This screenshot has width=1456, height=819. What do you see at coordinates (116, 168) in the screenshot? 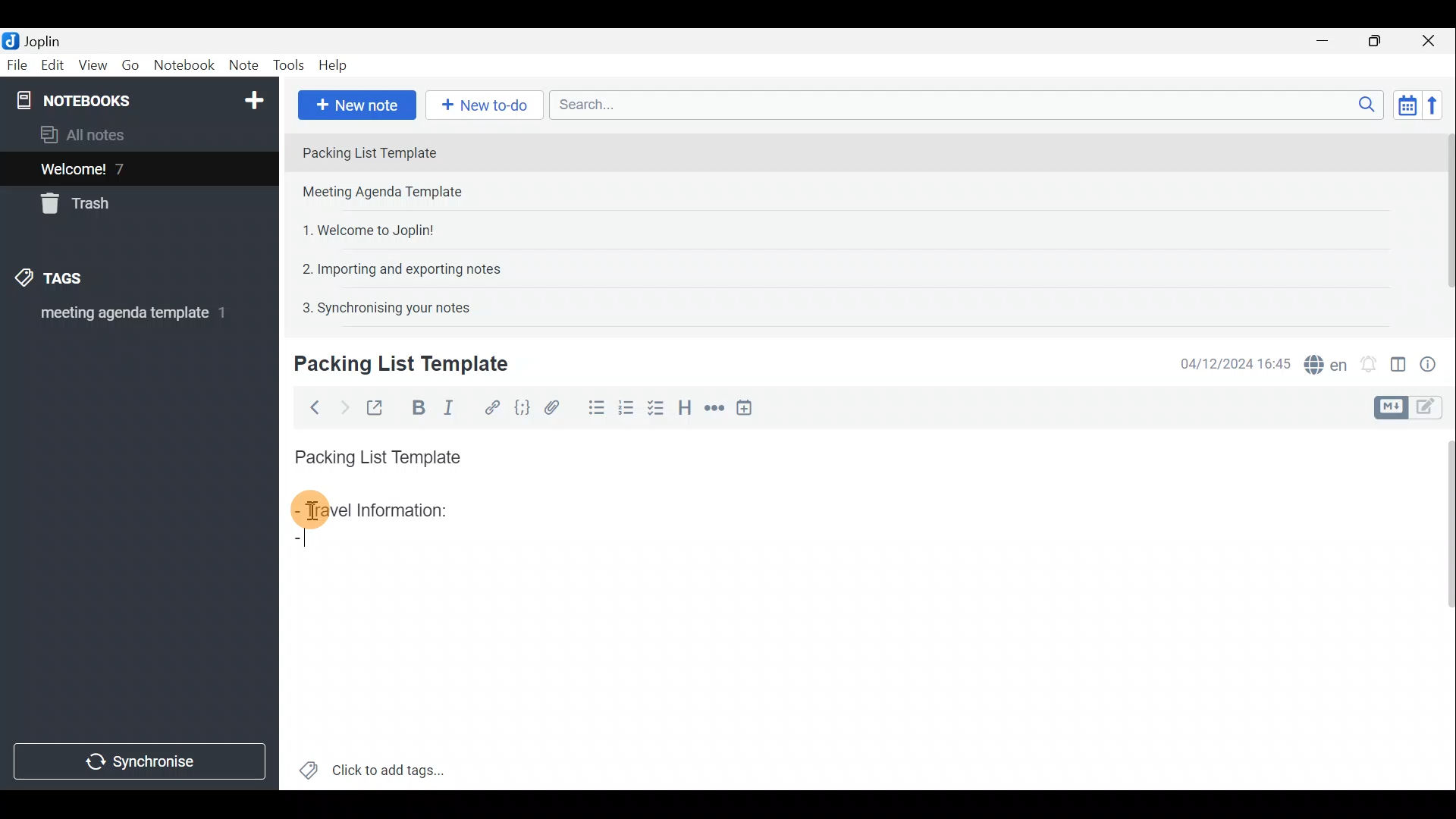
I see `Welcome` at bounding box center [116, 168].